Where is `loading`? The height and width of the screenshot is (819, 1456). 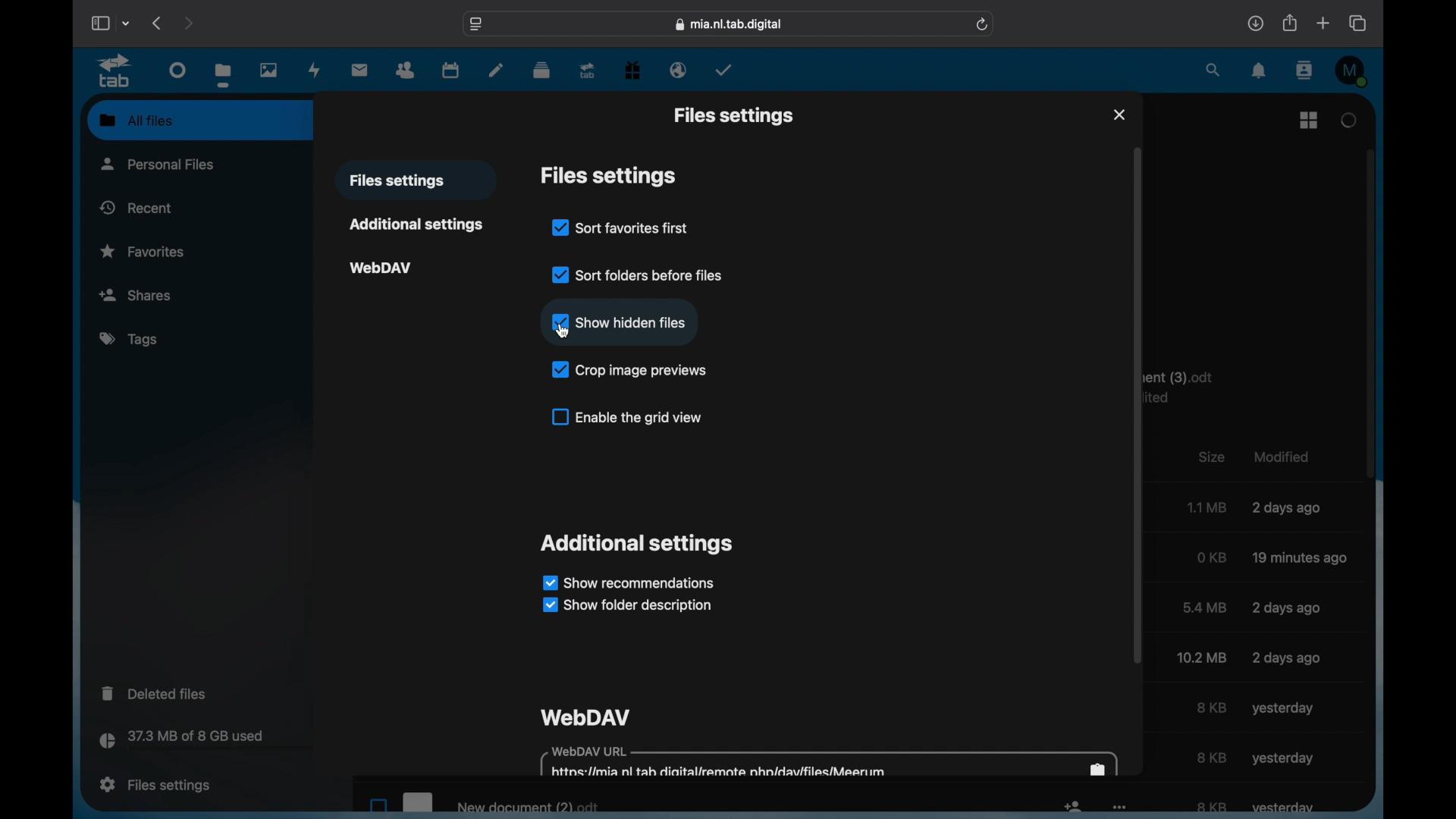 loading is located at coordinates (1349, 121).